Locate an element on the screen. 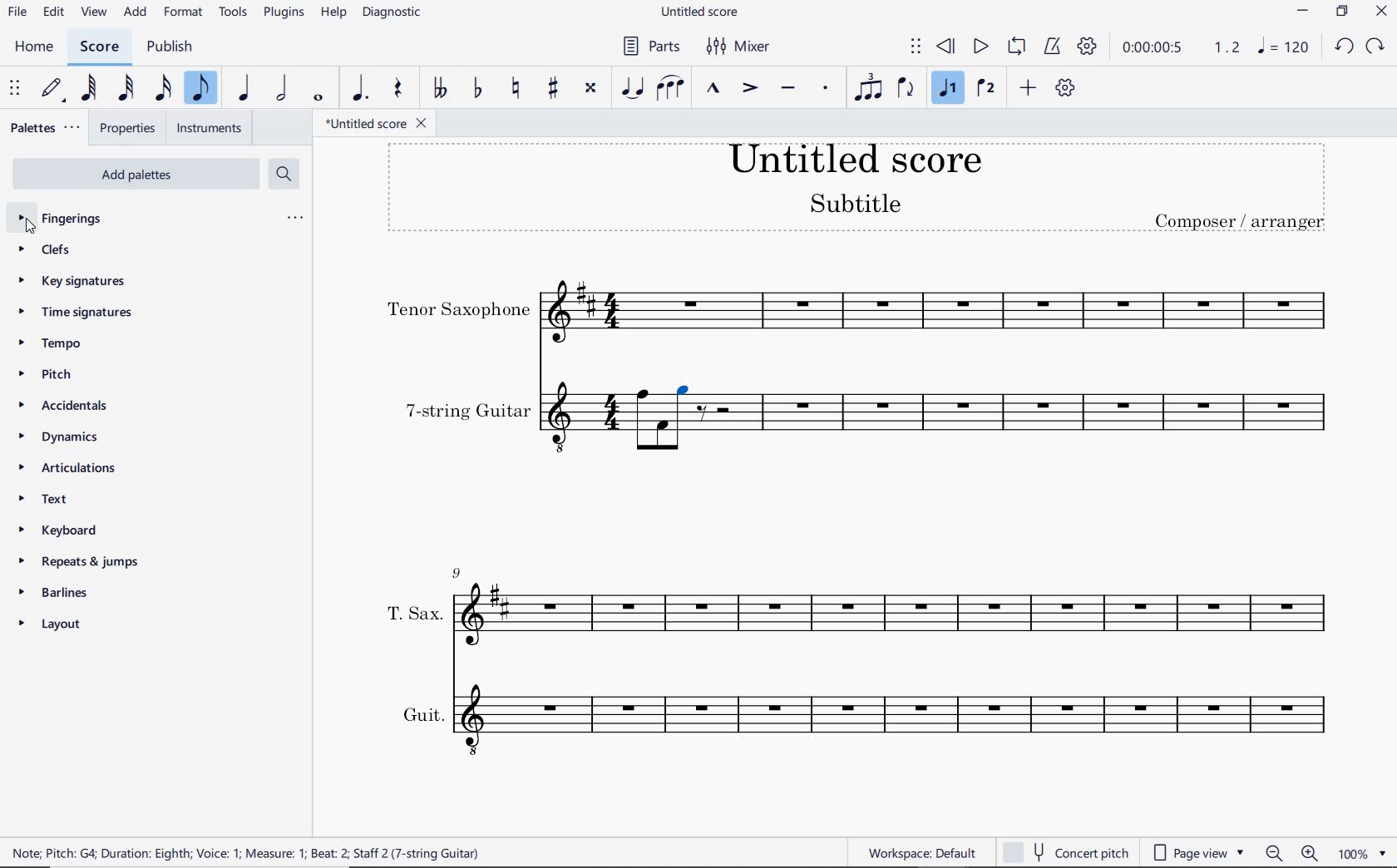 Image resolution: width=1397 pixels, height=868 pixels. PLAY SPEED is located at coordinates (1181, 47).